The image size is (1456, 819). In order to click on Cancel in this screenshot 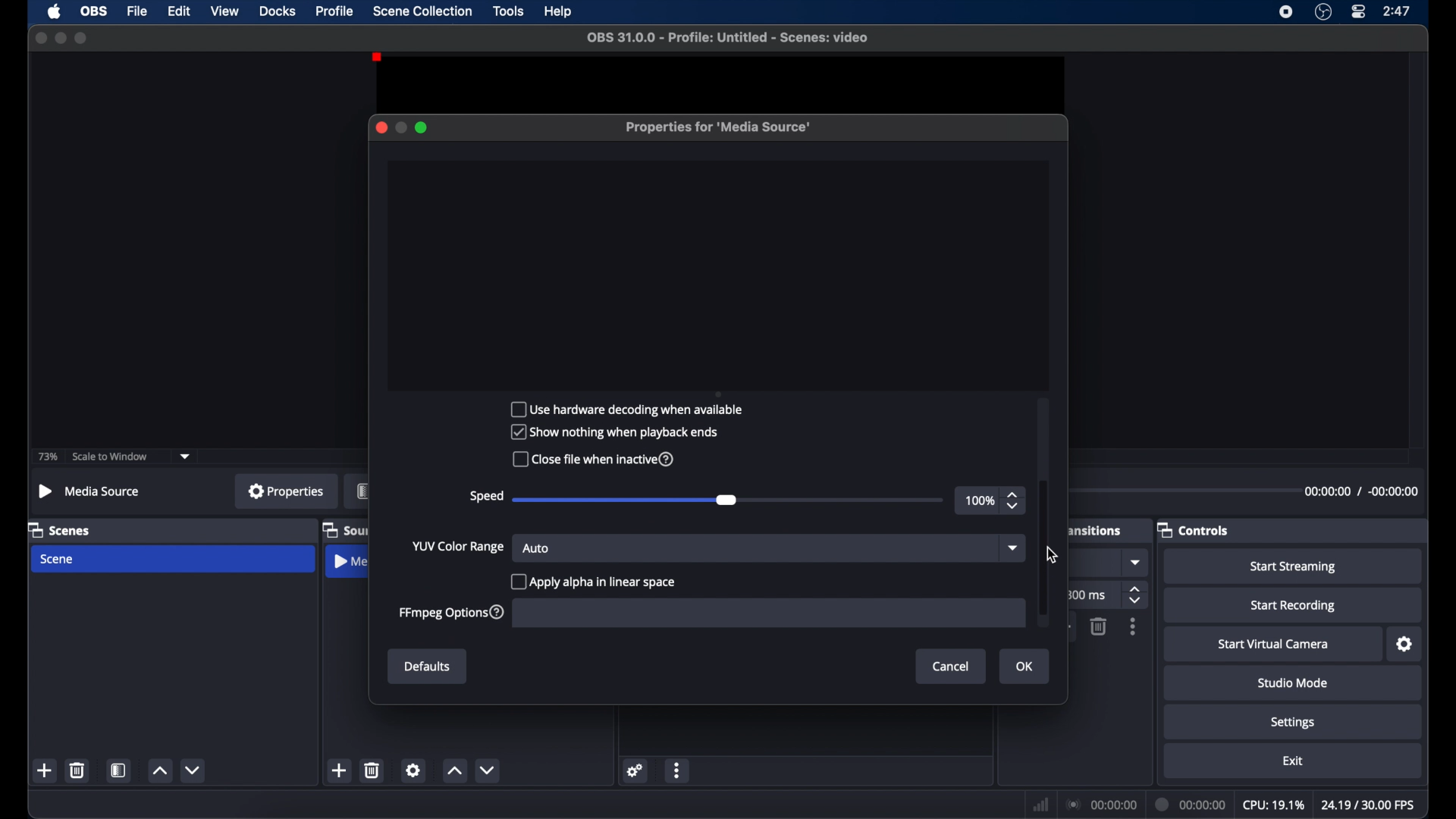, I will do `click(949, 666)`.